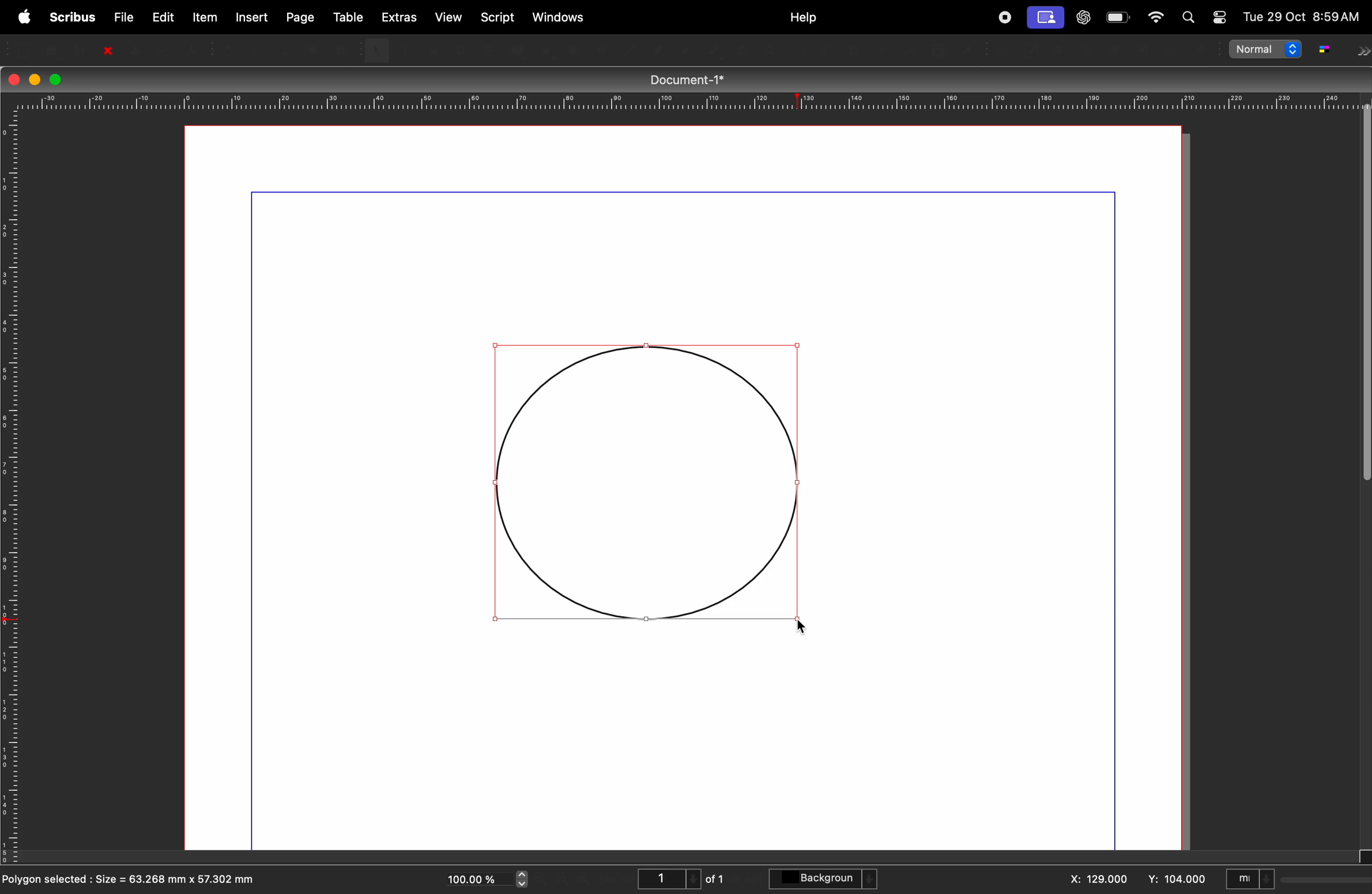 The height and width of the screenshot is (894, 1372). I want to click on Spiral, so click(601, 50).